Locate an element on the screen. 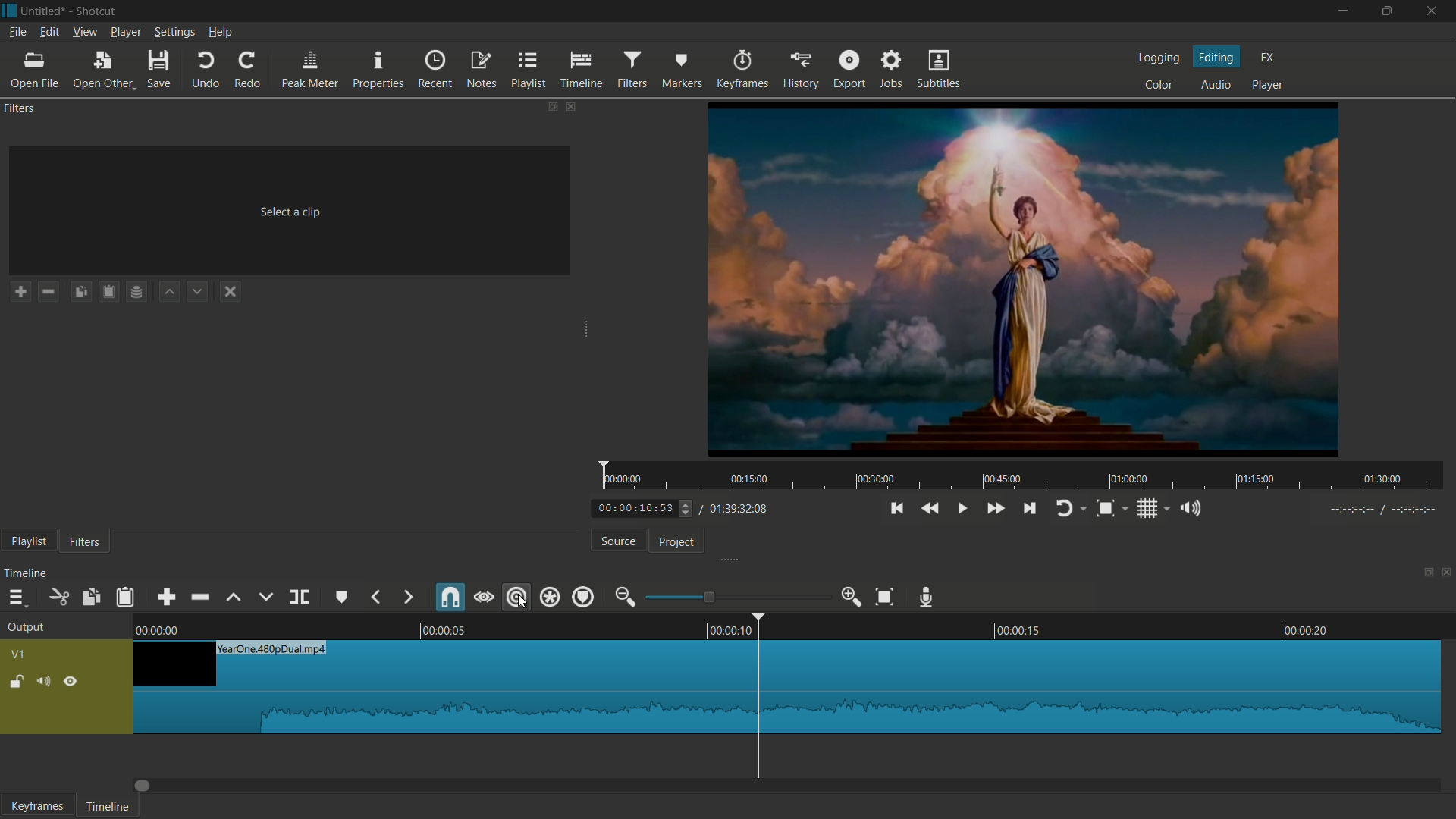  00:00:05 is located at coordinates (443, 630).